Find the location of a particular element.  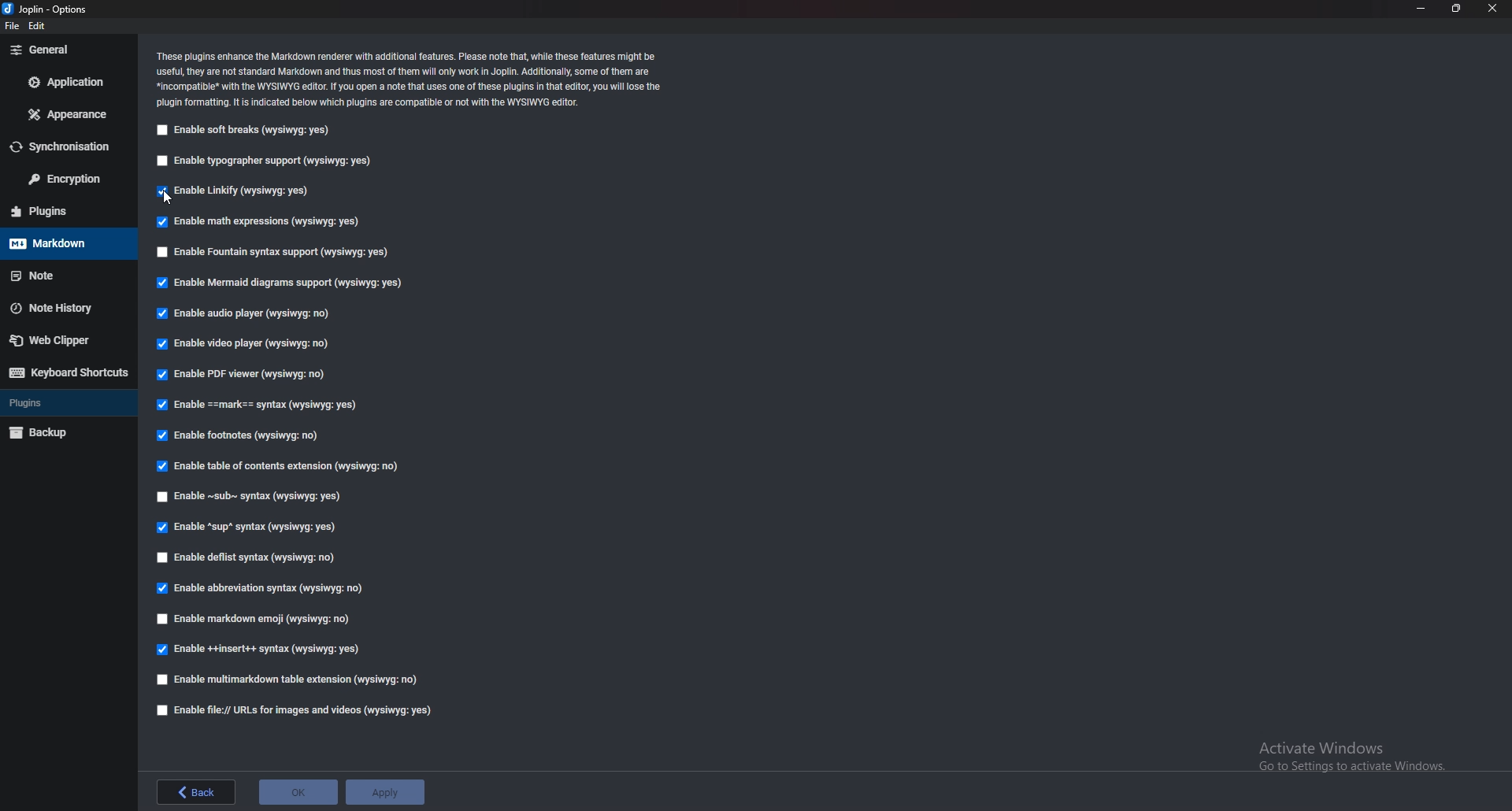

enable fountain syntax support is located at coordinates (271, 250).